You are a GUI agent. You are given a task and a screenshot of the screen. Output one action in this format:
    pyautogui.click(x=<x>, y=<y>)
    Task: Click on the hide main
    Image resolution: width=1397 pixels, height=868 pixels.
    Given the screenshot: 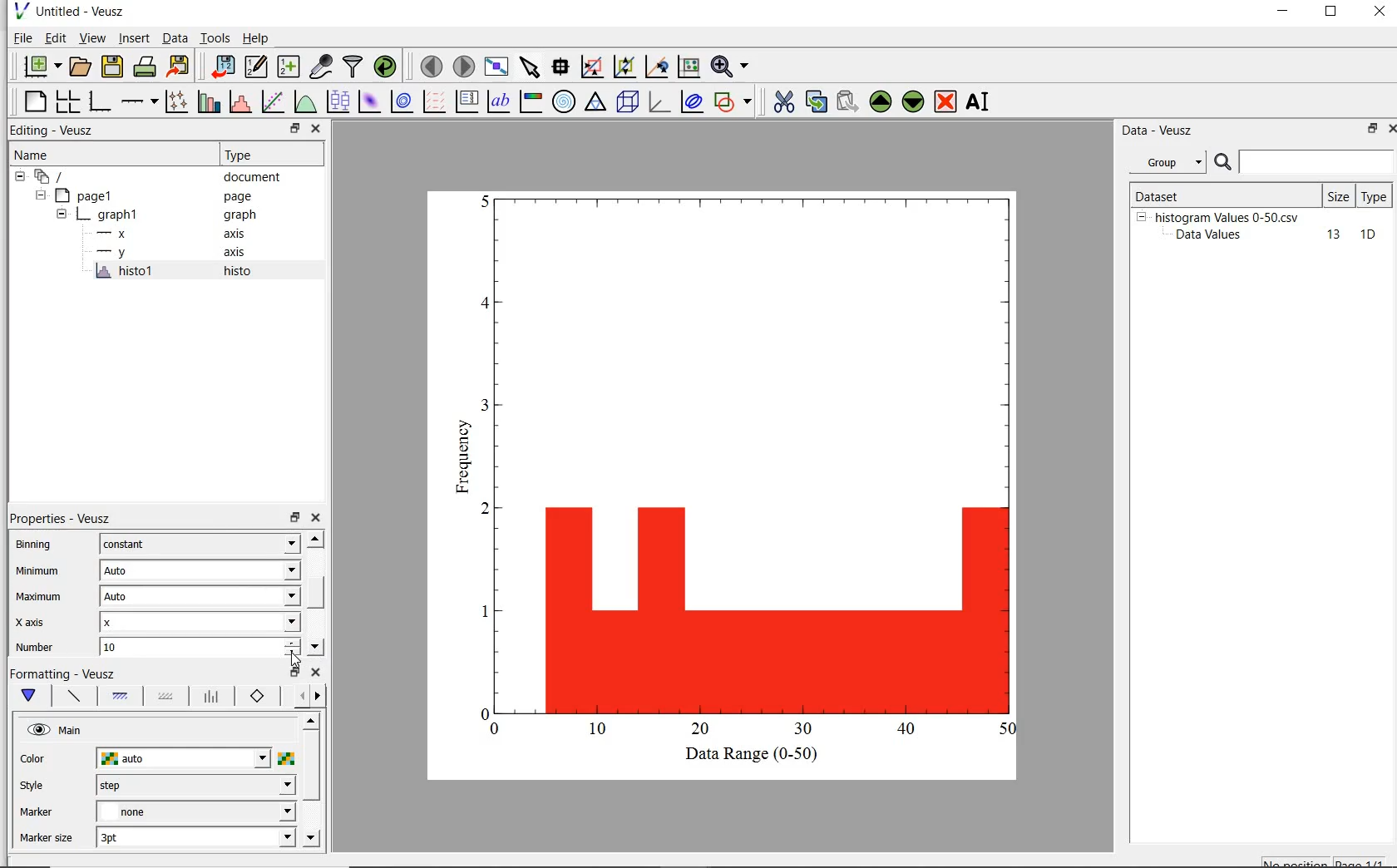 What is the action you would take?
    pyautogui.click(x=57, y=731)
    